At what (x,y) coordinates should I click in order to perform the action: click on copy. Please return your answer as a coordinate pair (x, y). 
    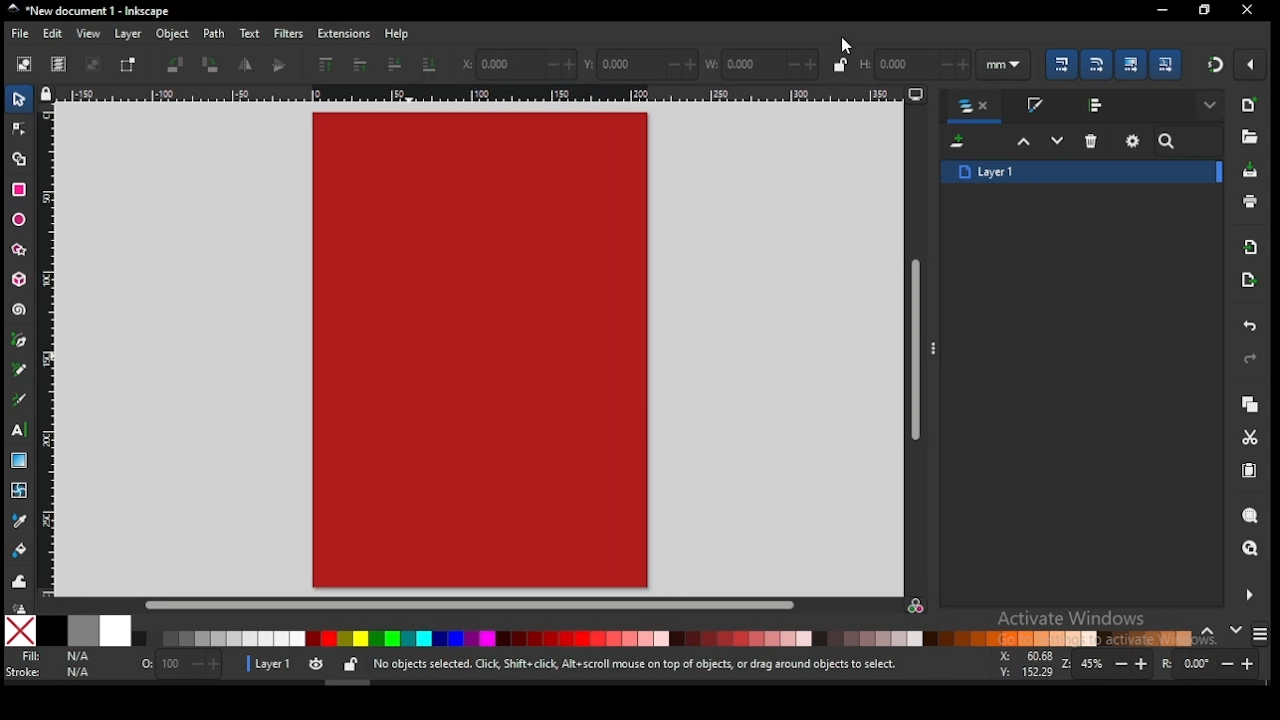
    Looking at the image, I should click on (1249, 405).